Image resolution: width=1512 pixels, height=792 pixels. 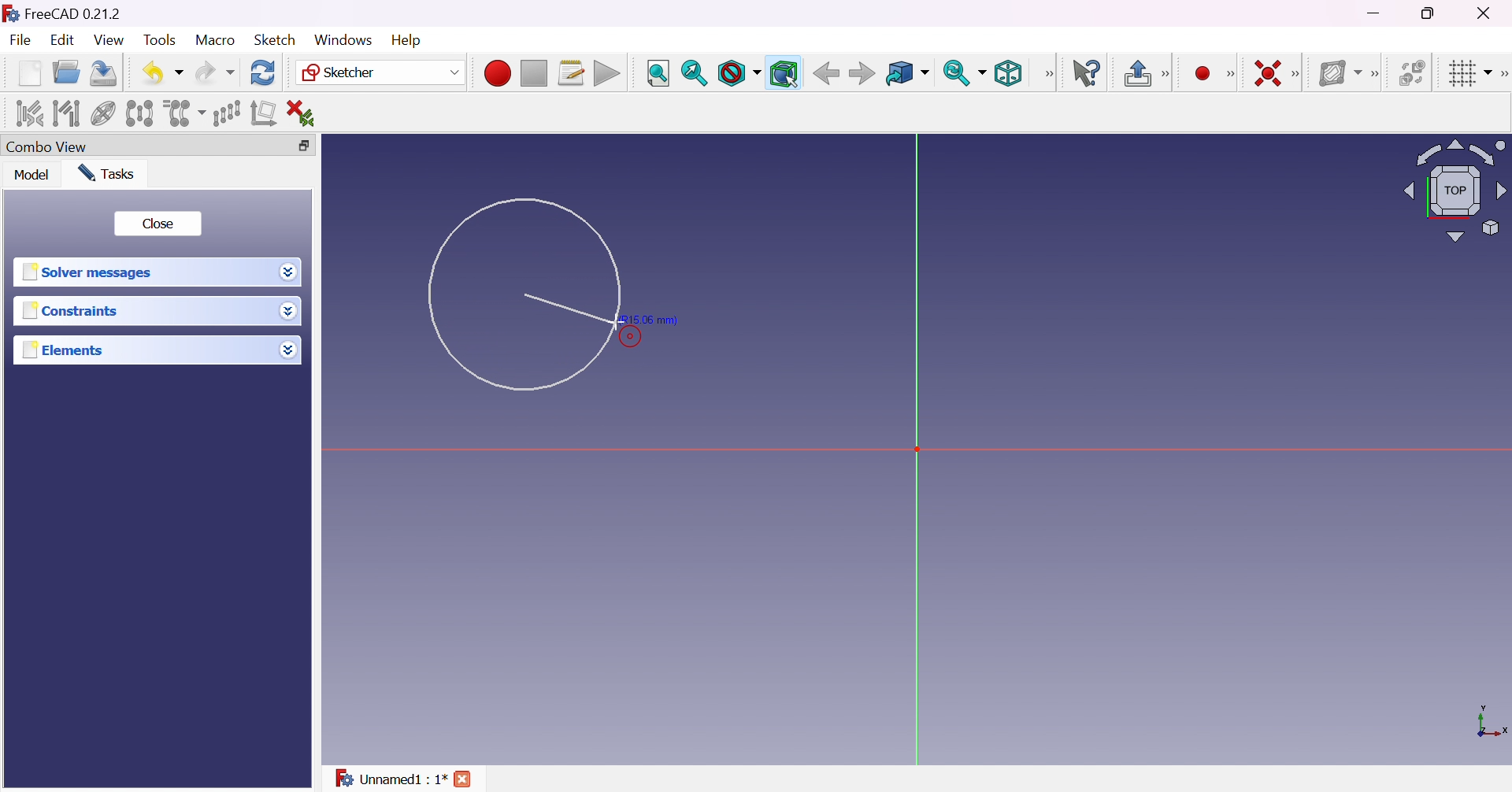 I want to click on File, so click(x=22, y=42).